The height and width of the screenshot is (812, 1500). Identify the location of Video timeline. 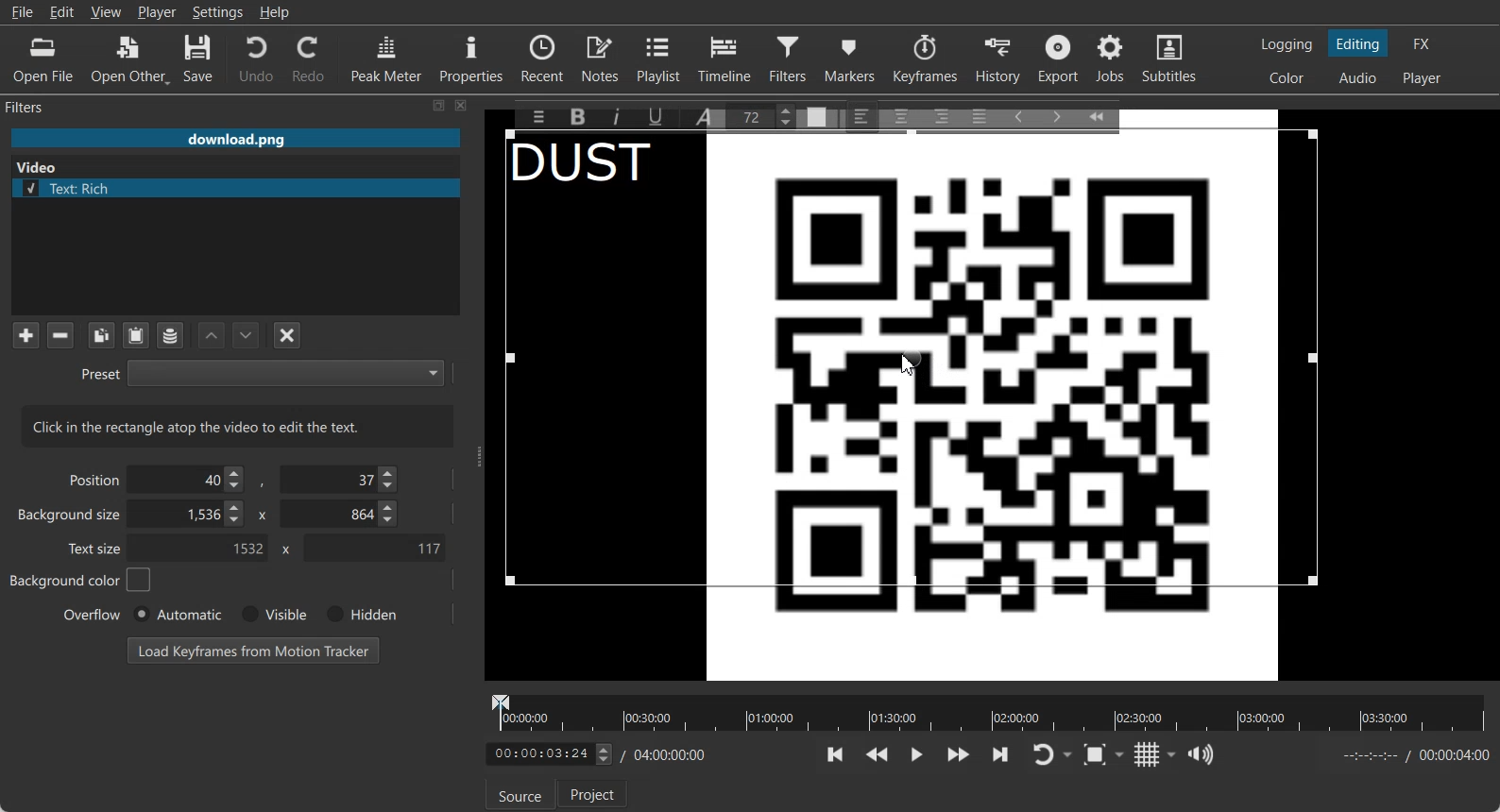
(988, 711).